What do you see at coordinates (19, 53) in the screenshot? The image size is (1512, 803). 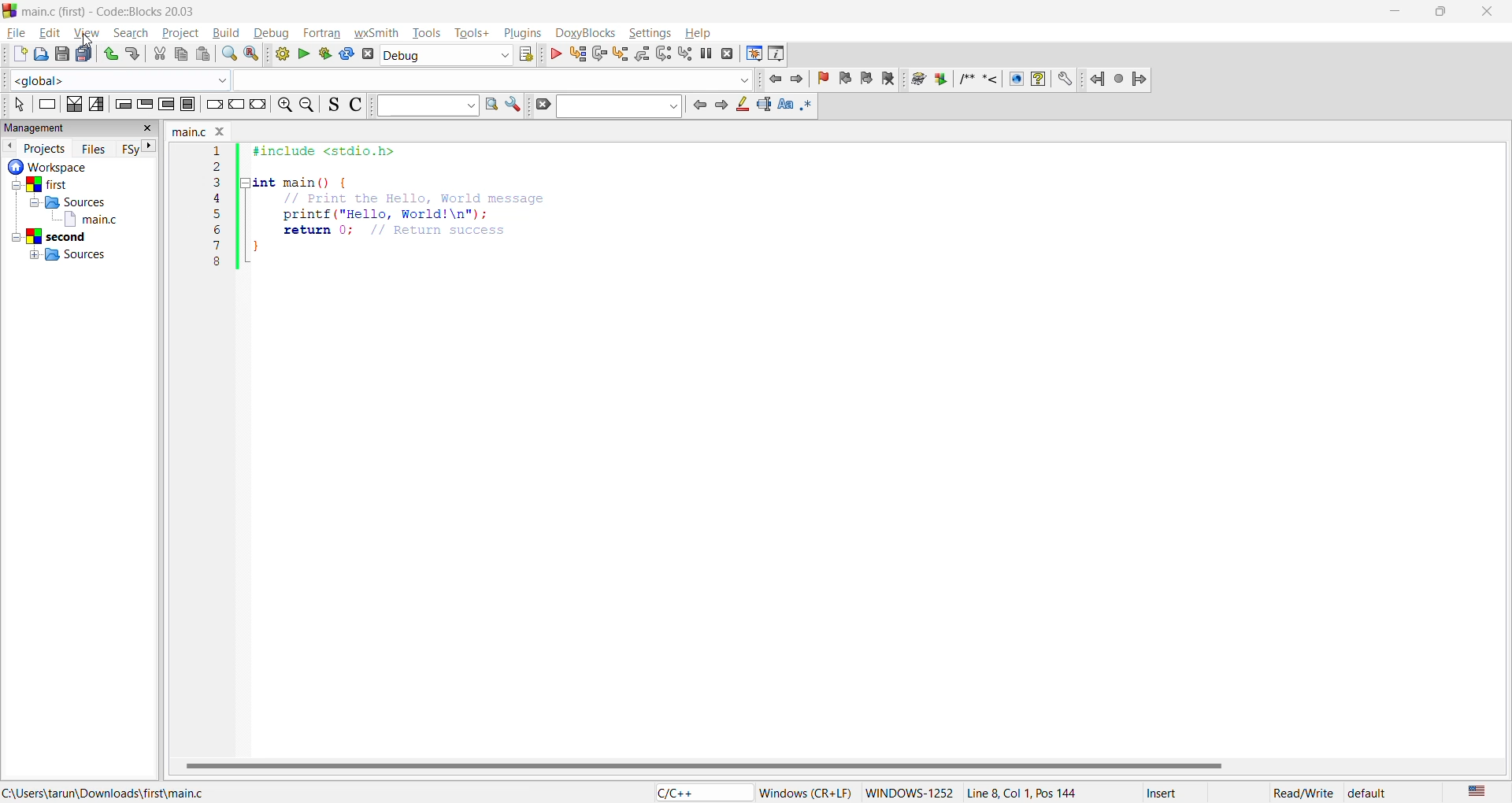 I see `new` at bounding box center [19, 53].